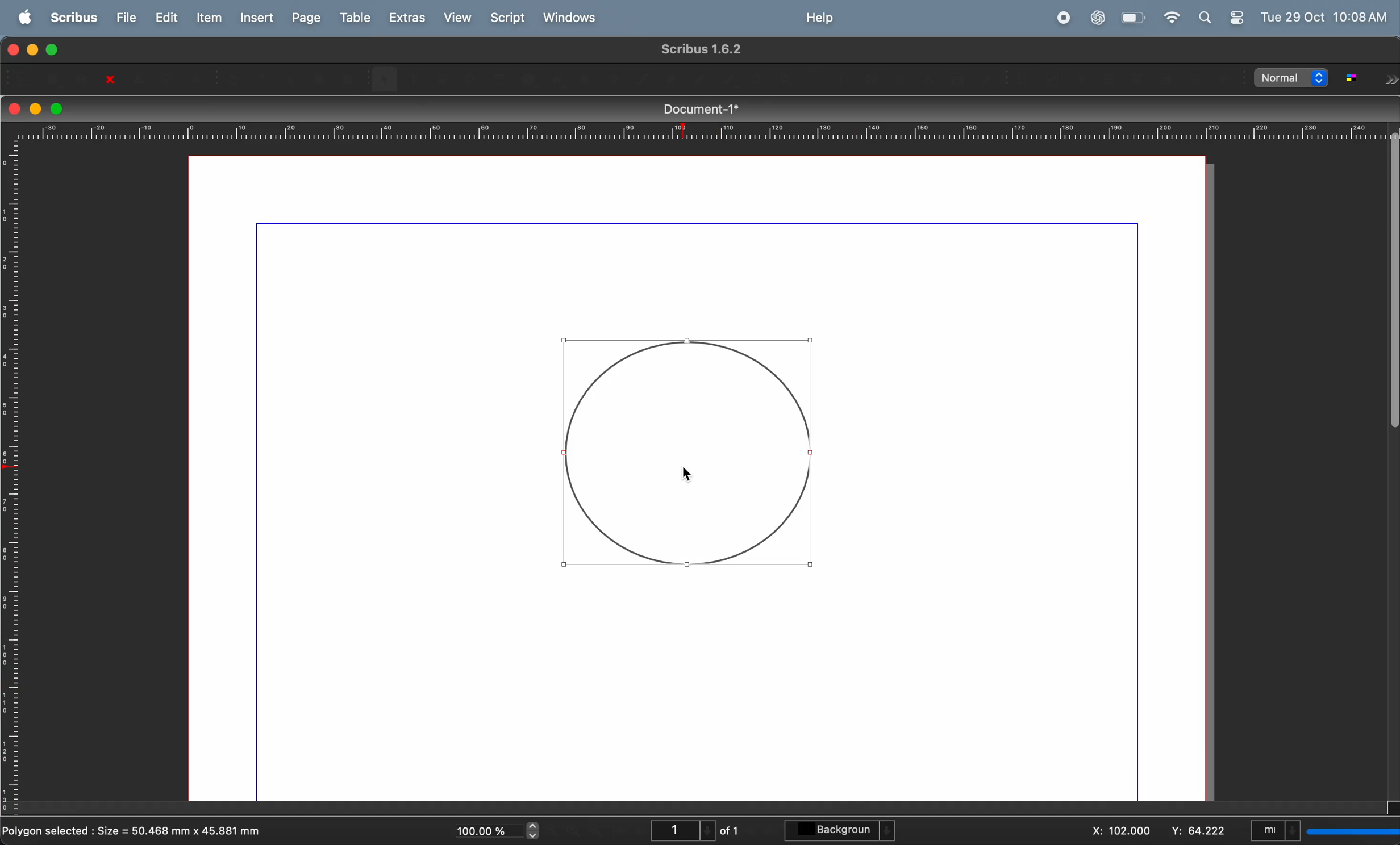 The height and width of the screenshot is (845, 1400). What do you see at coordinates (840, 829) in the screenshot?
I see `background` at bounding box center [840, 829].